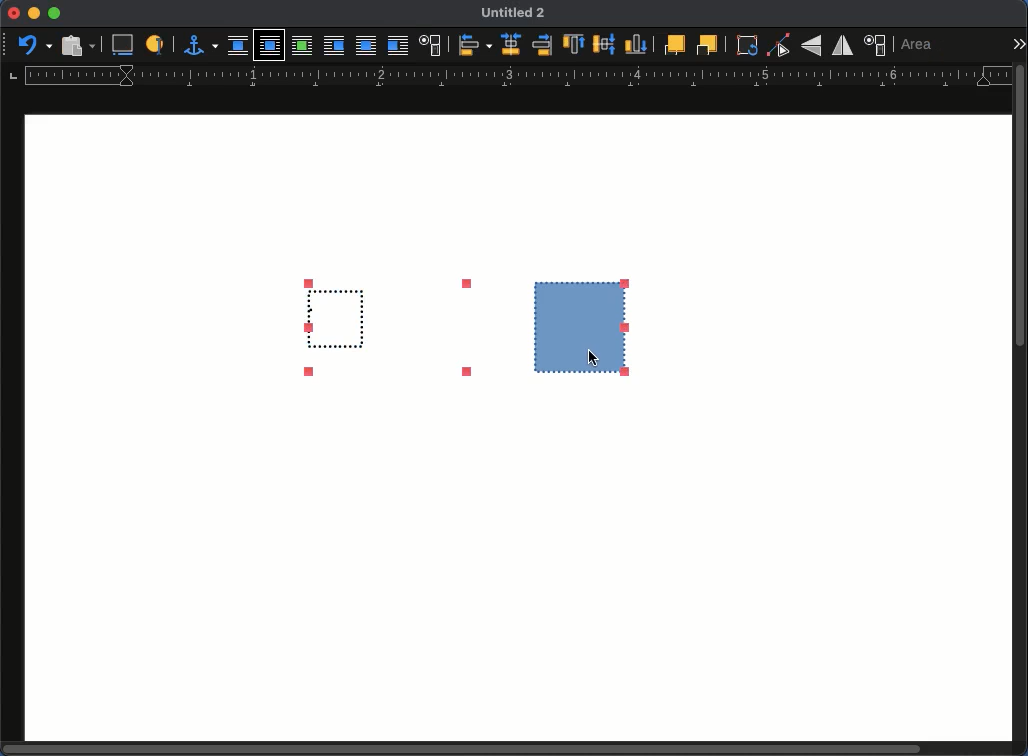 The image size is (1028, 756). I want to click on flip vertically, so click(811, 46).